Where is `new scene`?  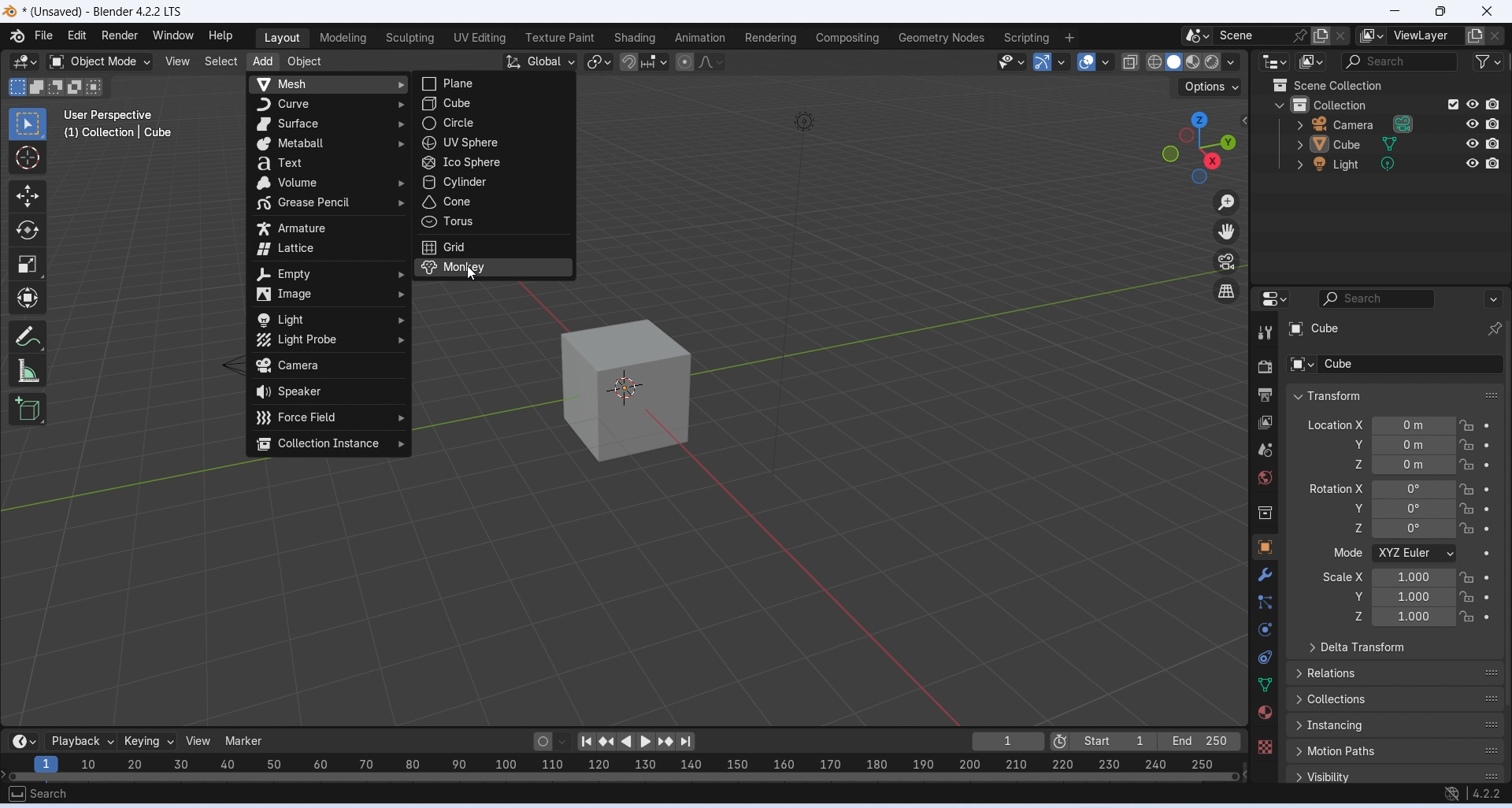
new scene is located at coordinates (1321, 36).